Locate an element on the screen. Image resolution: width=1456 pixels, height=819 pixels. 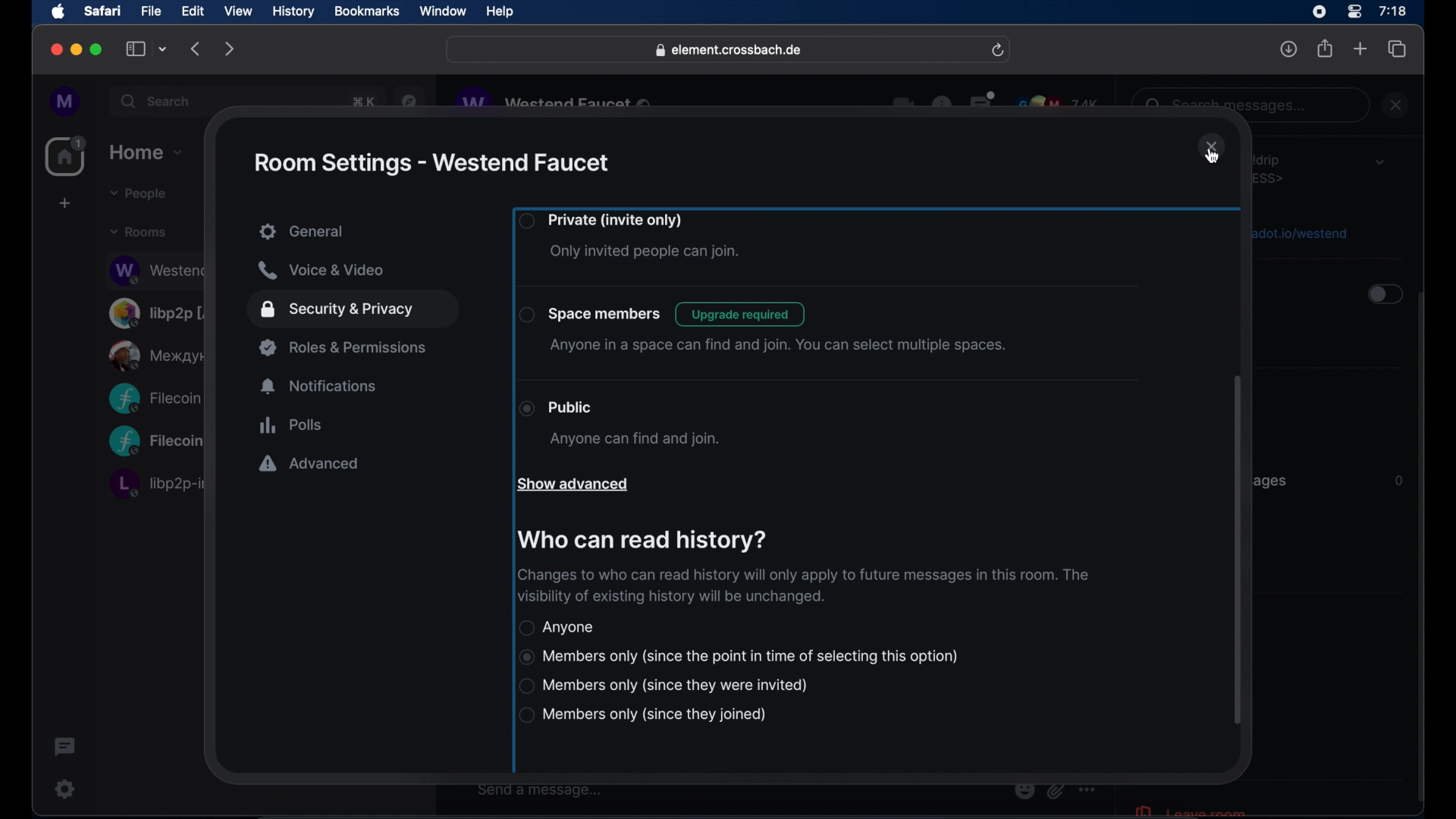
show tab overview is located at coordinates (1398, 49).